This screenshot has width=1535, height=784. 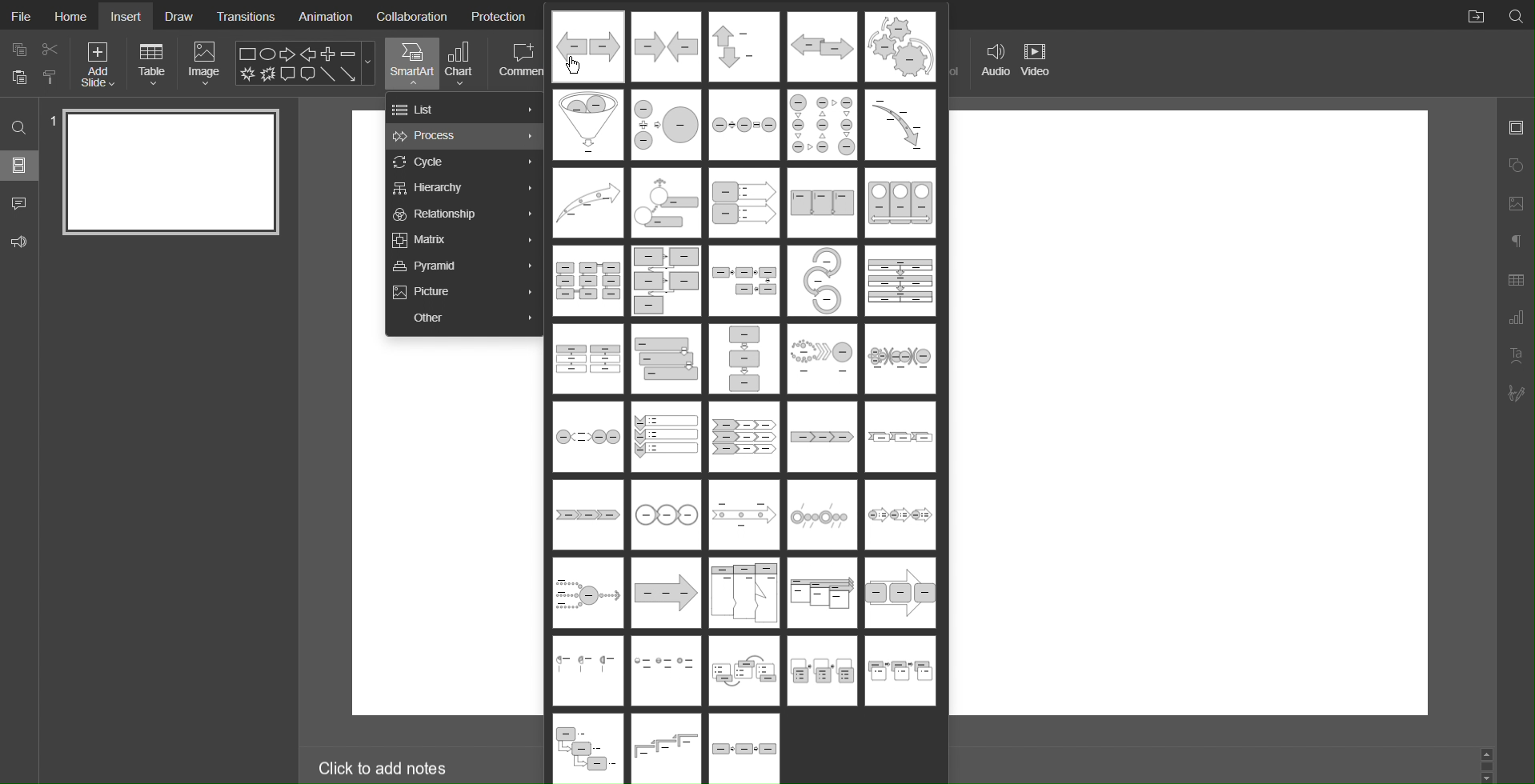 I want to click on Video, so click(x=1038, y=64).